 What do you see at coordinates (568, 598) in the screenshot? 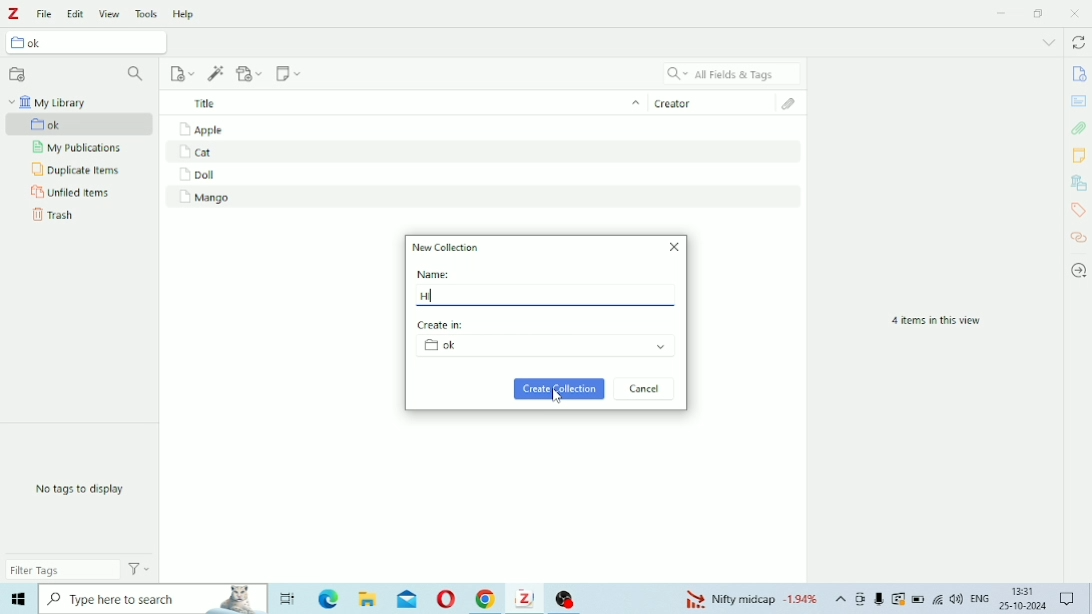
I see `OBS Studio` at bounding box center [568, 598].